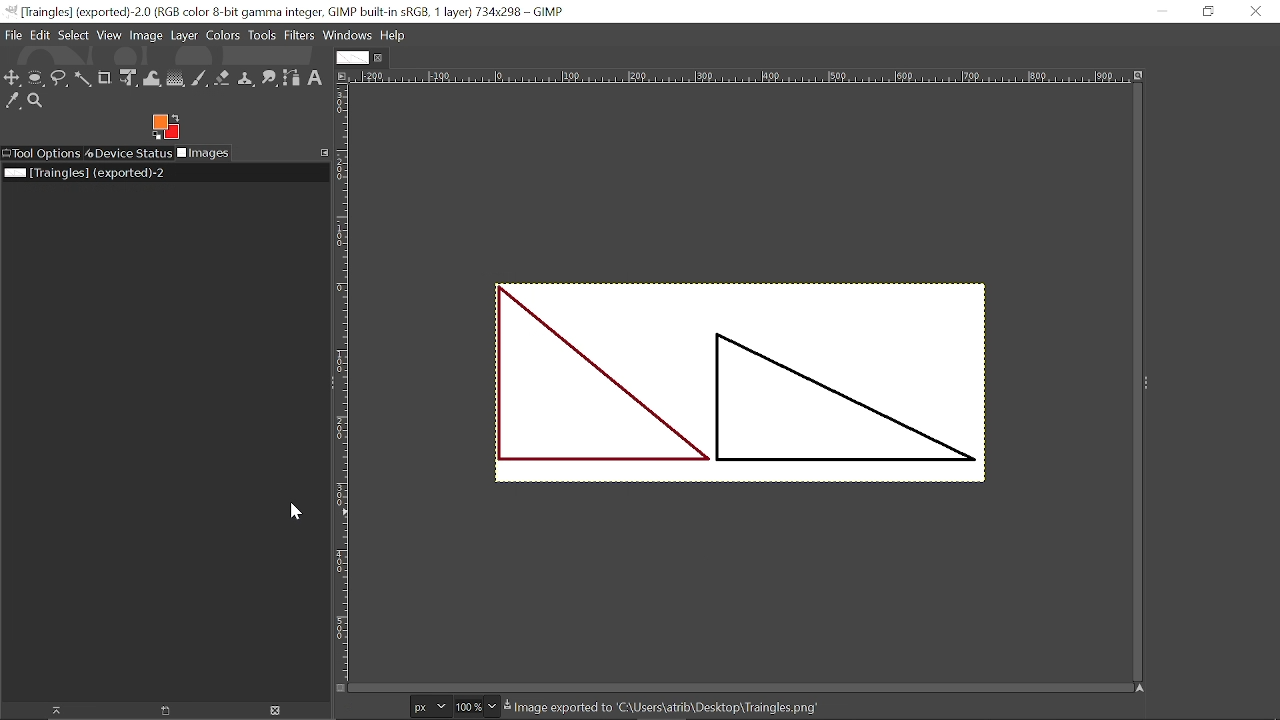  Describe the element at coordinates (200, 79) in the screenshot. I see `Paintbrush tool` at that location.